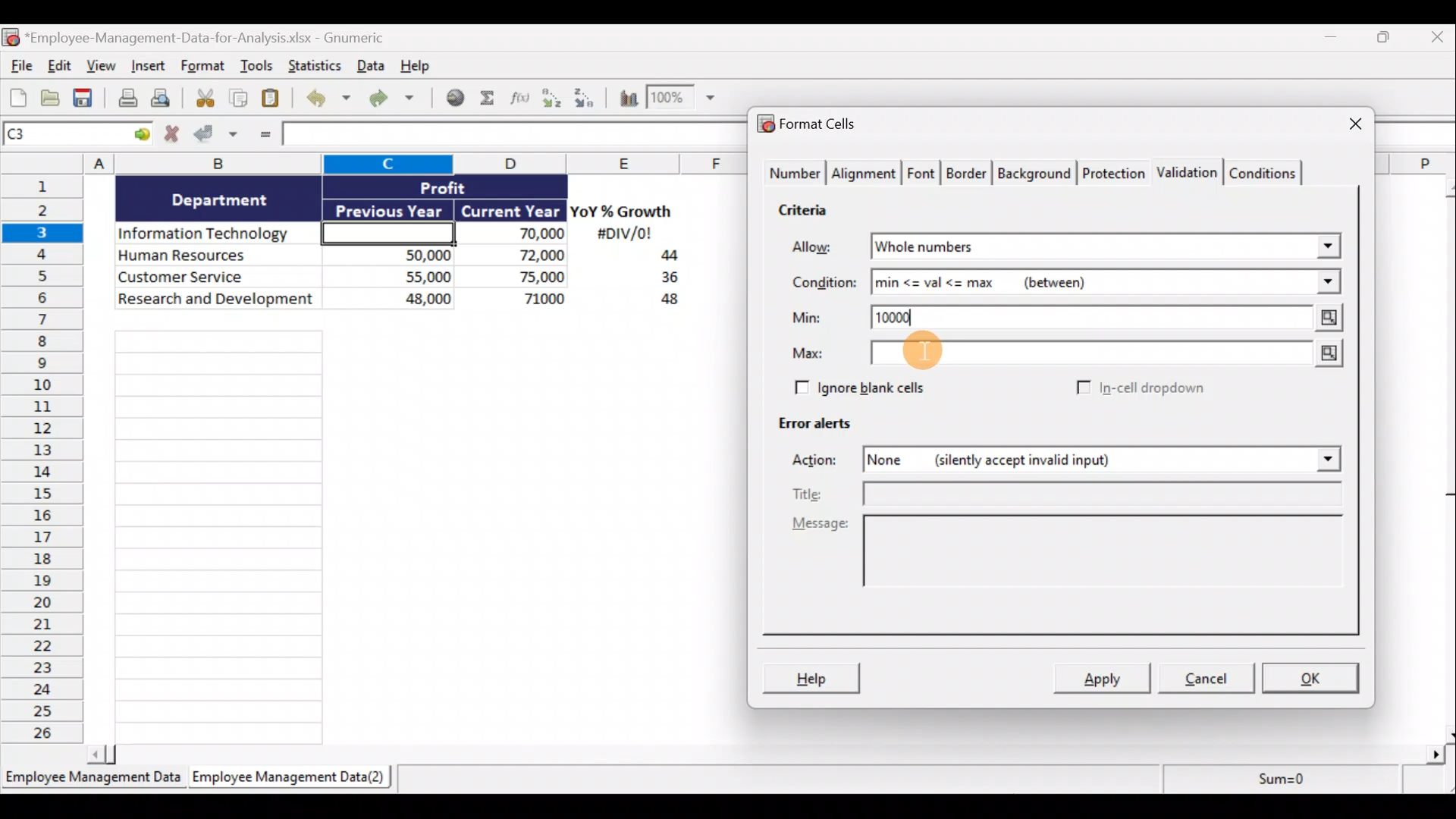 The width and height of the screenshot is (1456, 819). Describe the element at coordinates (1064, 560) in the screenshot. I see `Message` at that location.